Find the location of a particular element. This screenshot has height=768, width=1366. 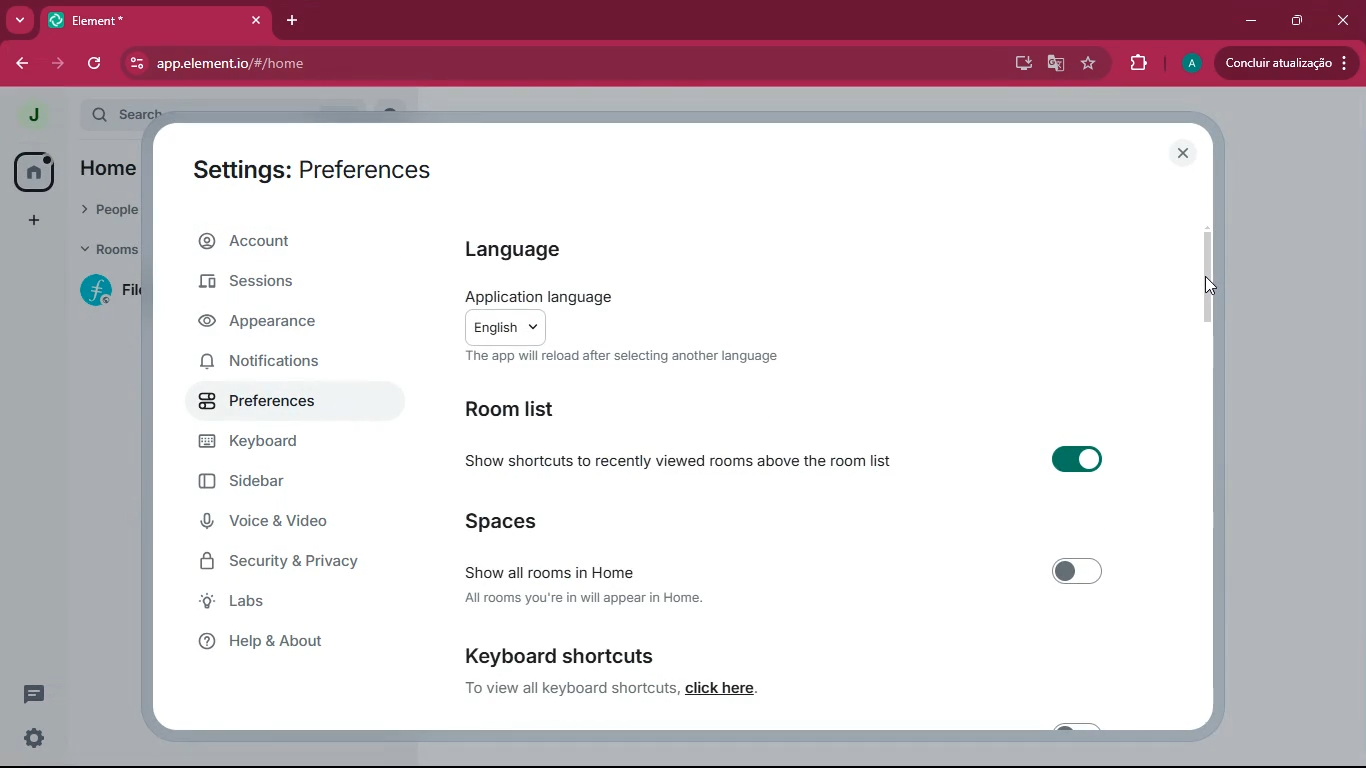

extensions is located at coordinates (1139, 64).